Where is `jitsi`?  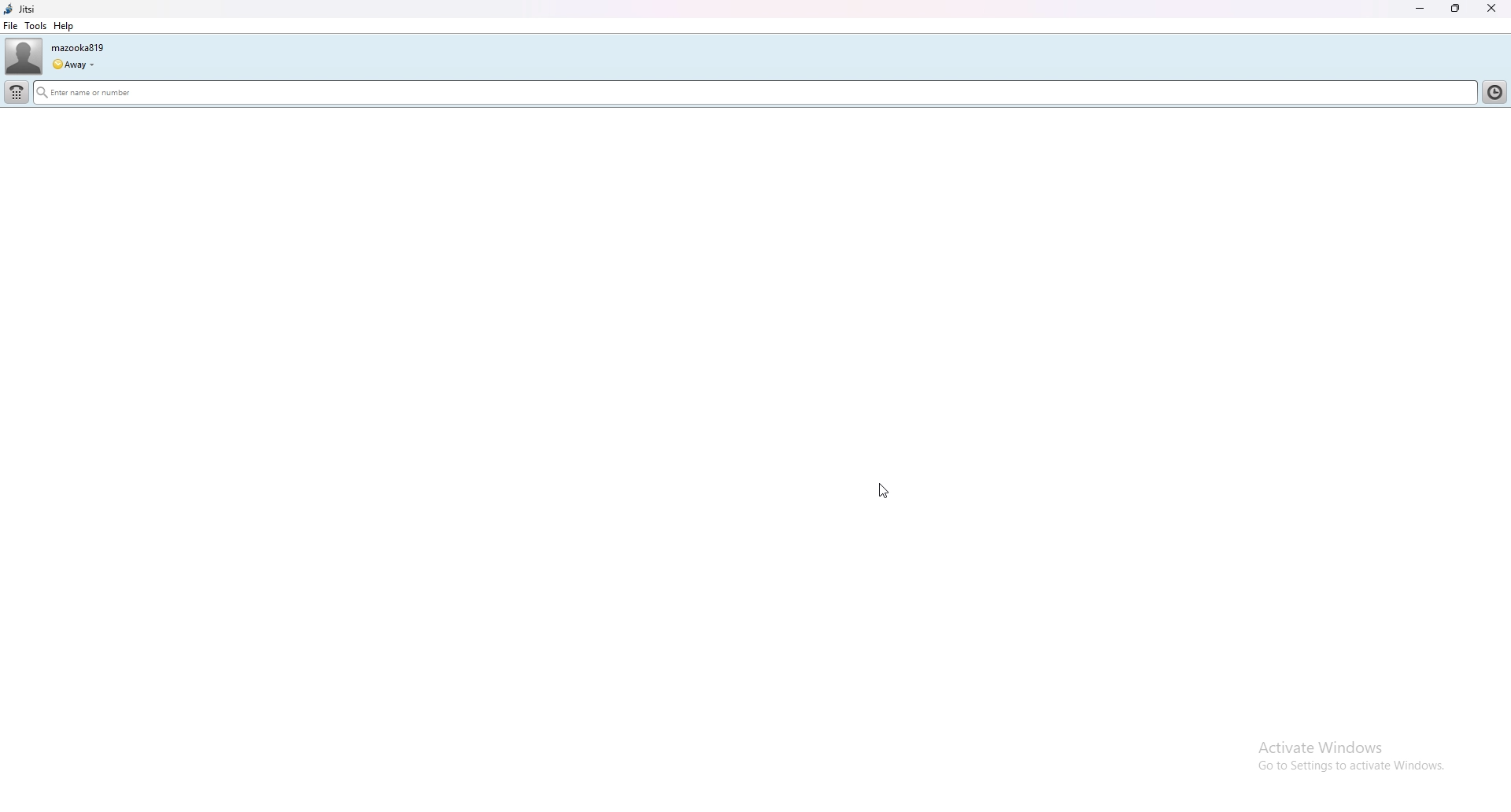 jitsi is located at coordinates (20, 9).